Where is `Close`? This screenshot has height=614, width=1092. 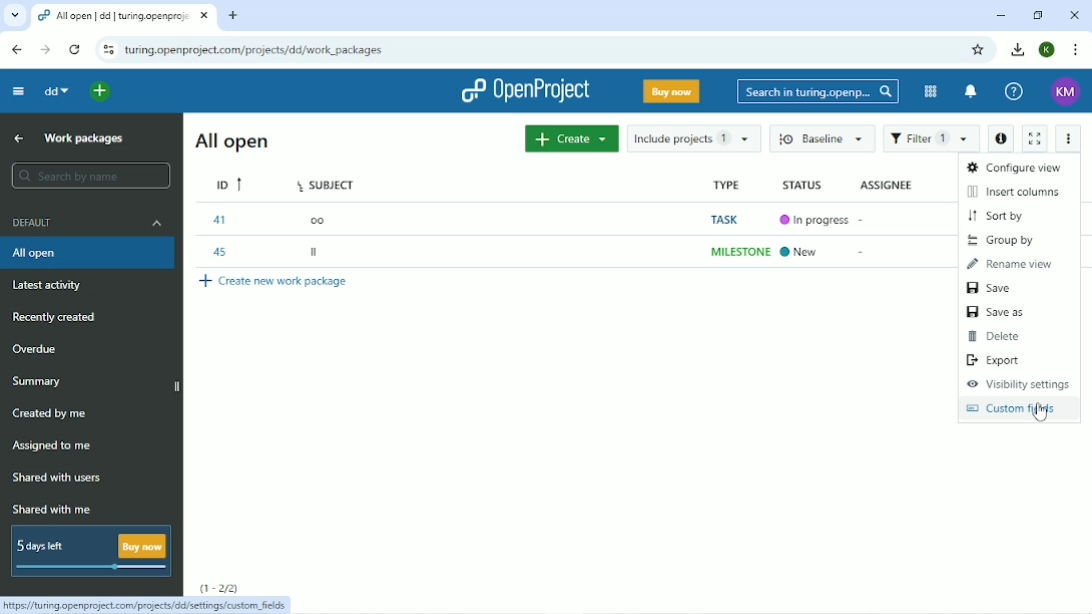 Close is located at coordinates (1074, 15).